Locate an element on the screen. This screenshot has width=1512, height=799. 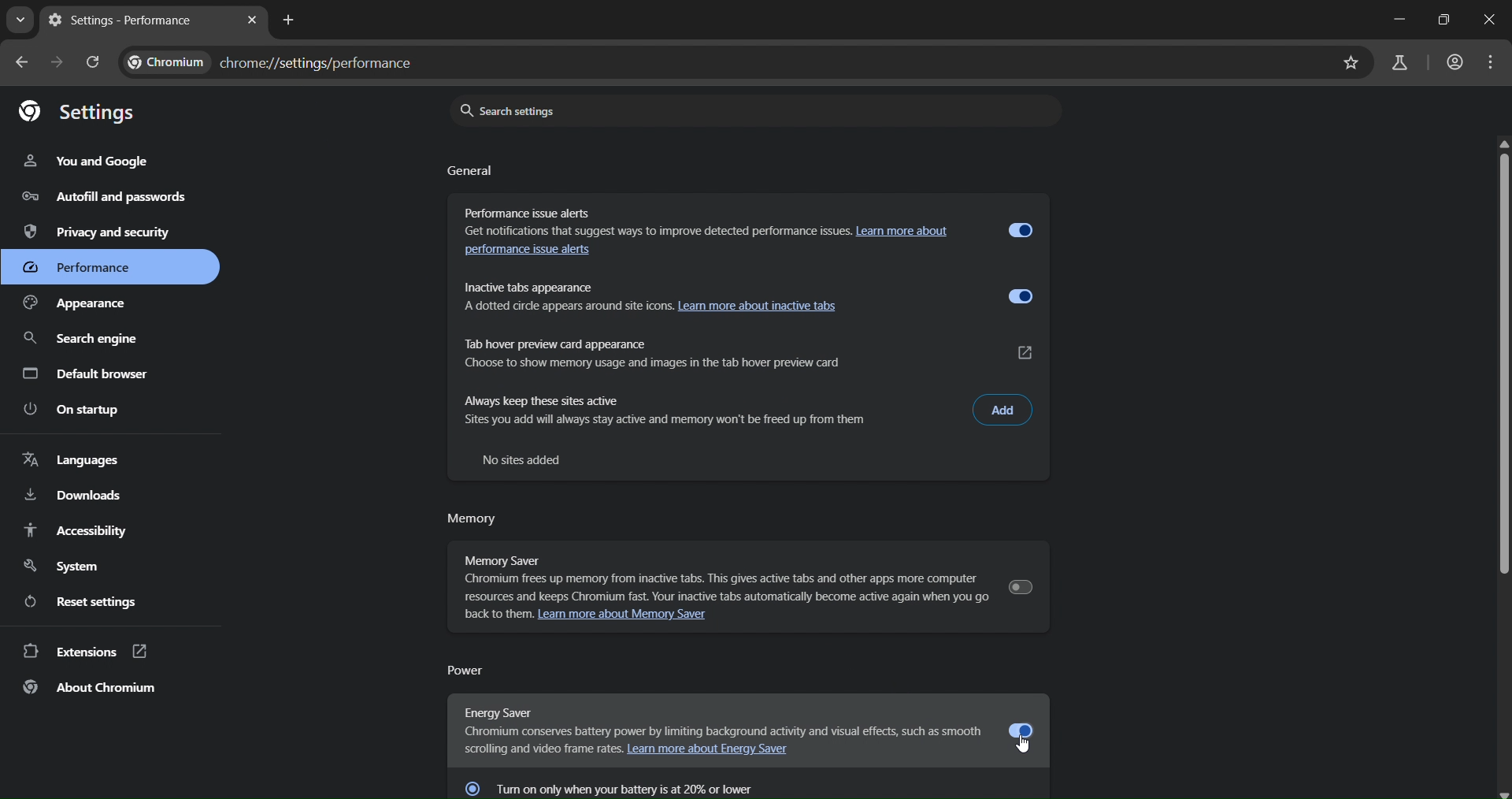
learn more about memory saver is located at coordinates (636, 617).